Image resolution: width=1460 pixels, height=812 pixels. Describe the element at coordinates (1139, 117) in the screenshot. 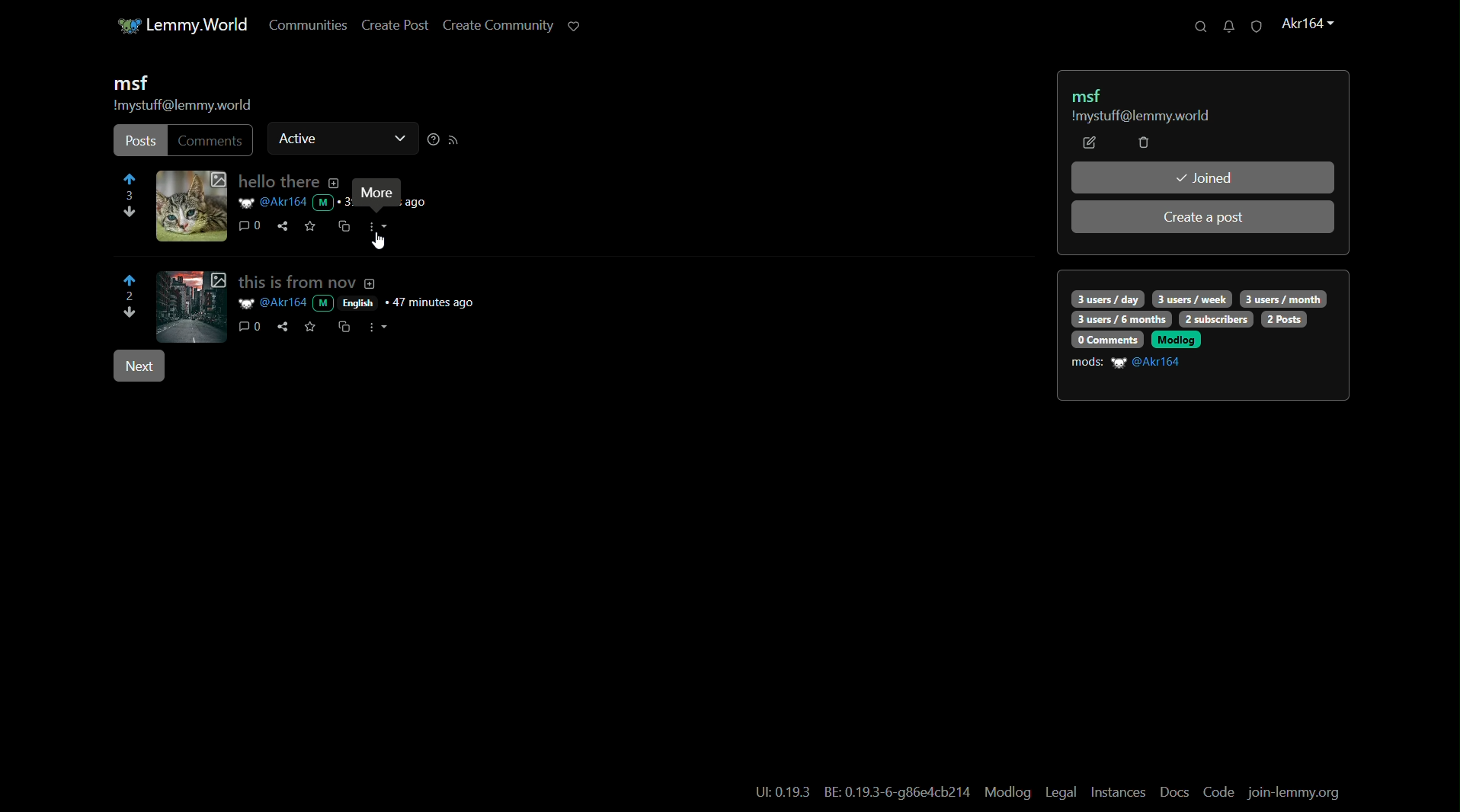

I see `server name` at that location.